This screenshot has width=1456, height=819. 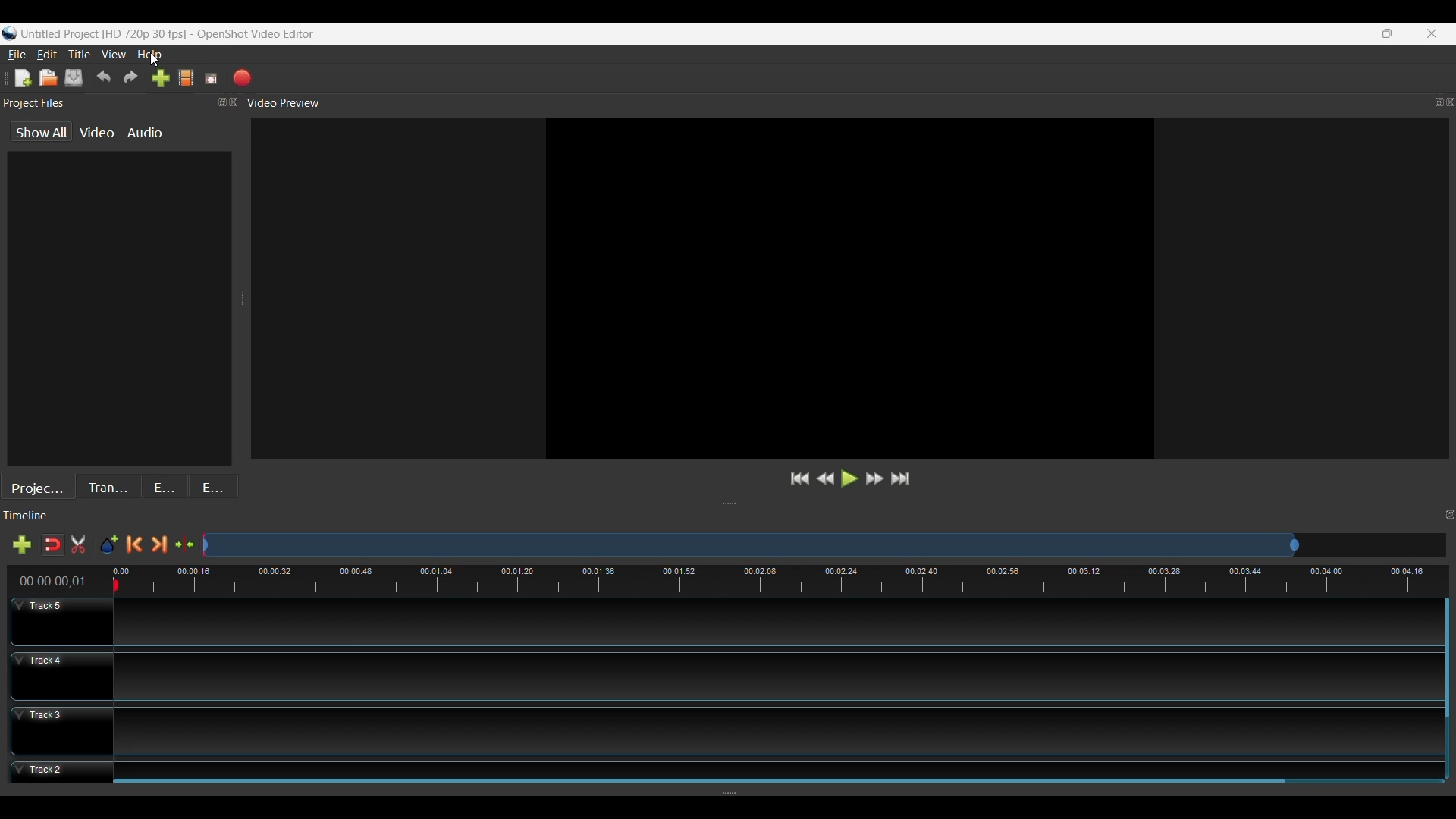 I want to click on Timeline Panel, so click(x=728, y=516).